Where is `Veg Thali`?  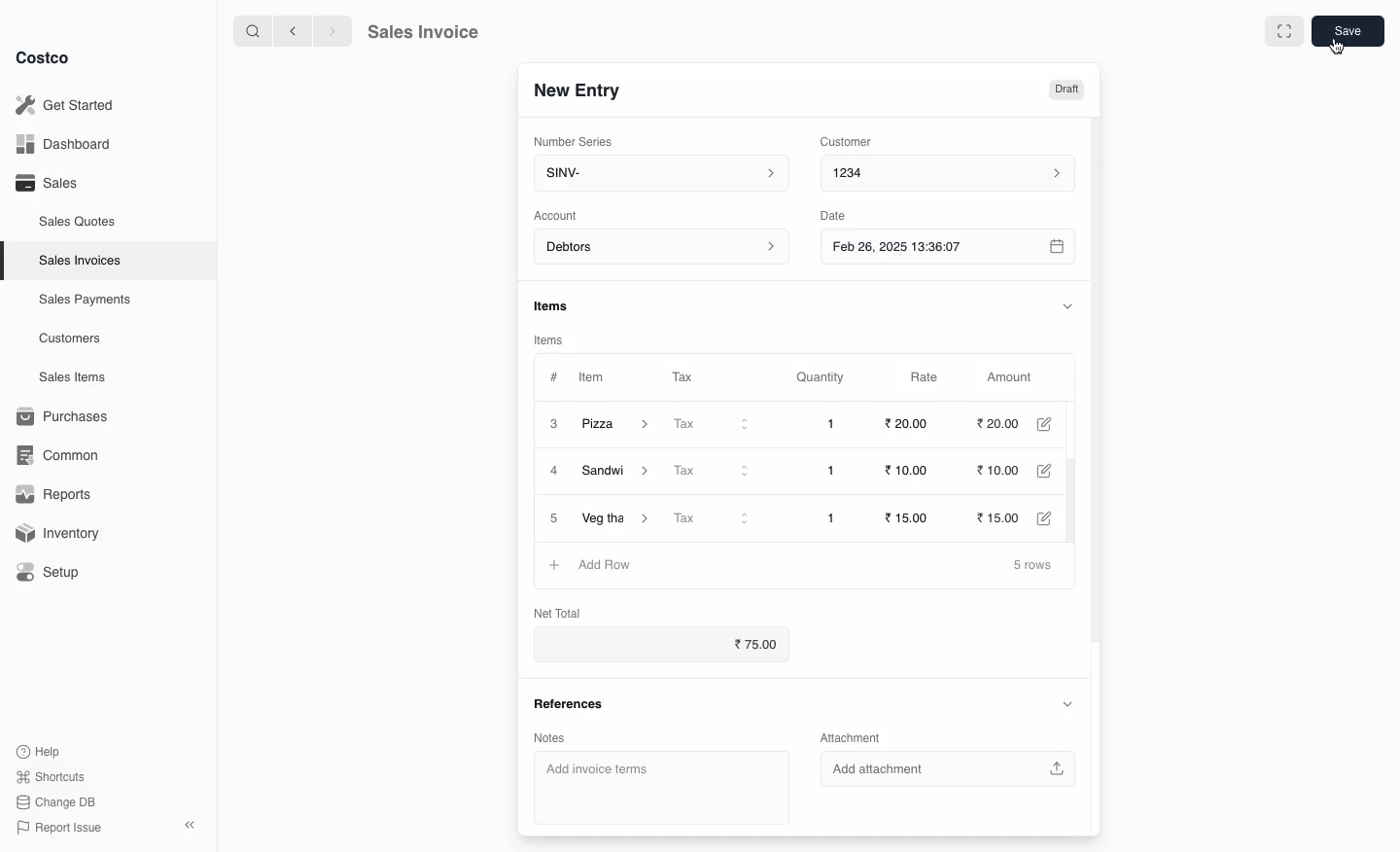
Veg Thali is located at coordinates (617, 517).